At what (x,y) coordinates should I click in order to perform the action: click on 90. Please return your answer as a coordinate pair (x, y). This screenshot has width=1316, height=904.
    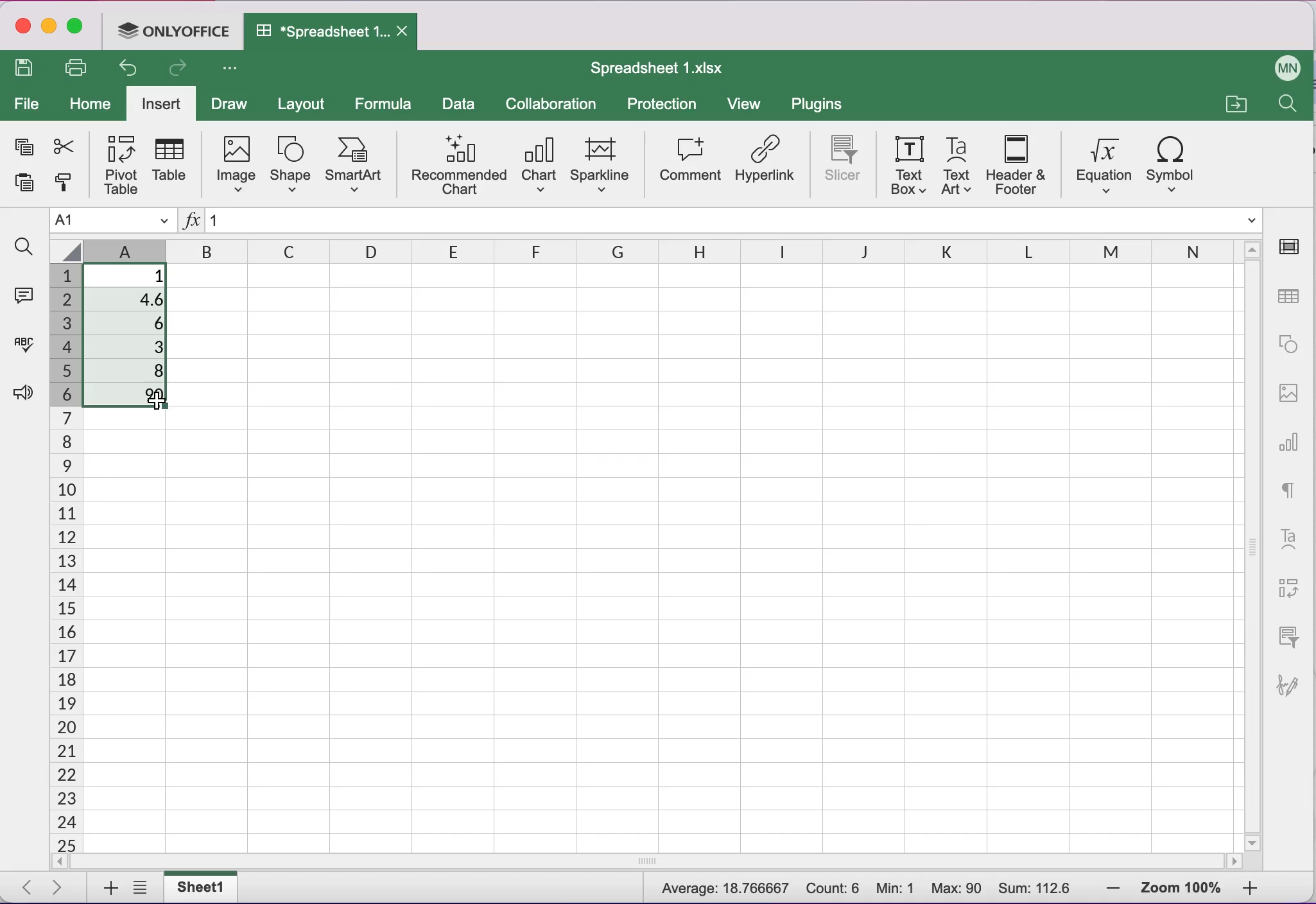
    Looking at the image, I should click on (130, 396).